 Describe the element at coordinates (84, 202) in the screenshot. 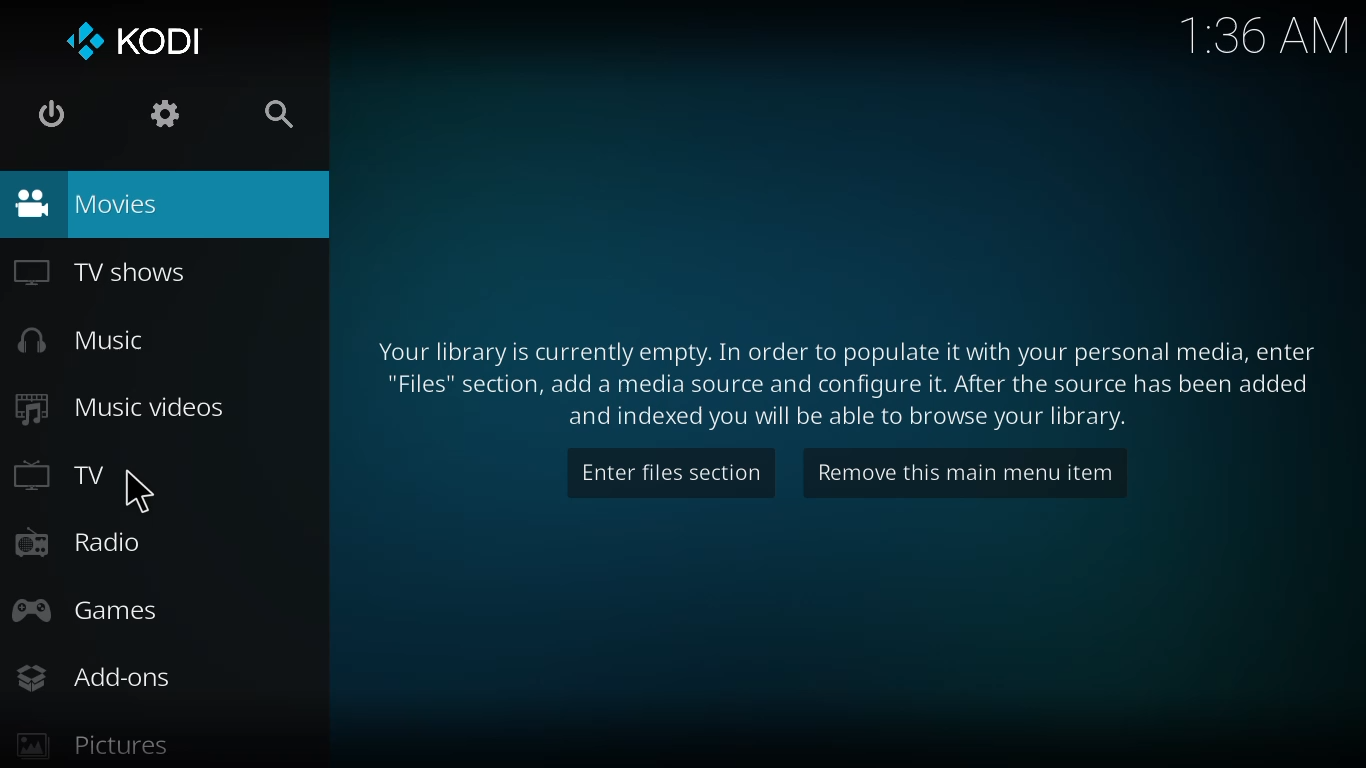

I see `movies` at that location.